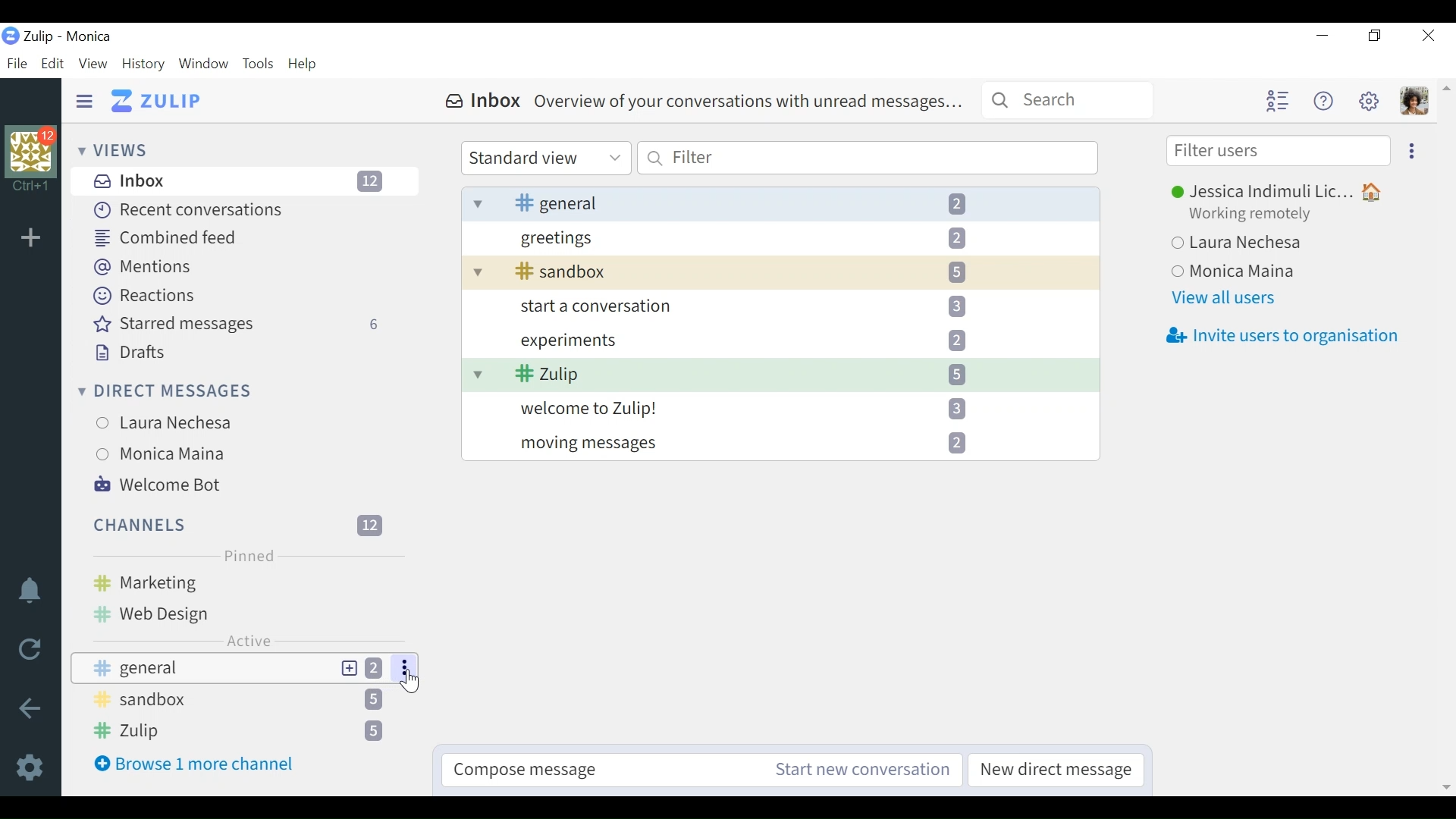 This screenshot has height=819, width=1456. I want to click on Cursor, so click(411, 681).